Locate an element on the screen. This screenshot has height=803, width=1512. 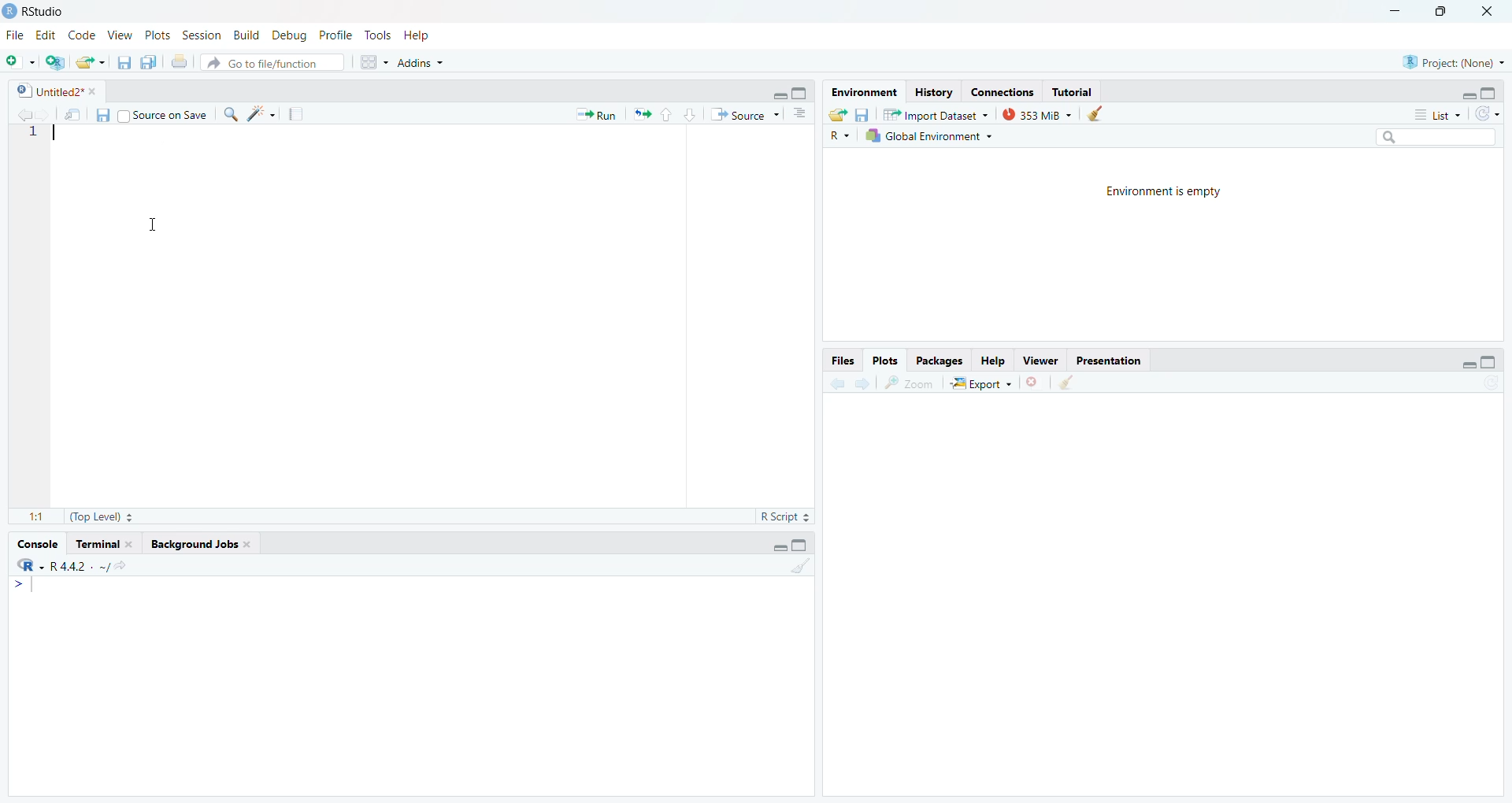
 353 MB ~ is located at coordinates (1036, 115).